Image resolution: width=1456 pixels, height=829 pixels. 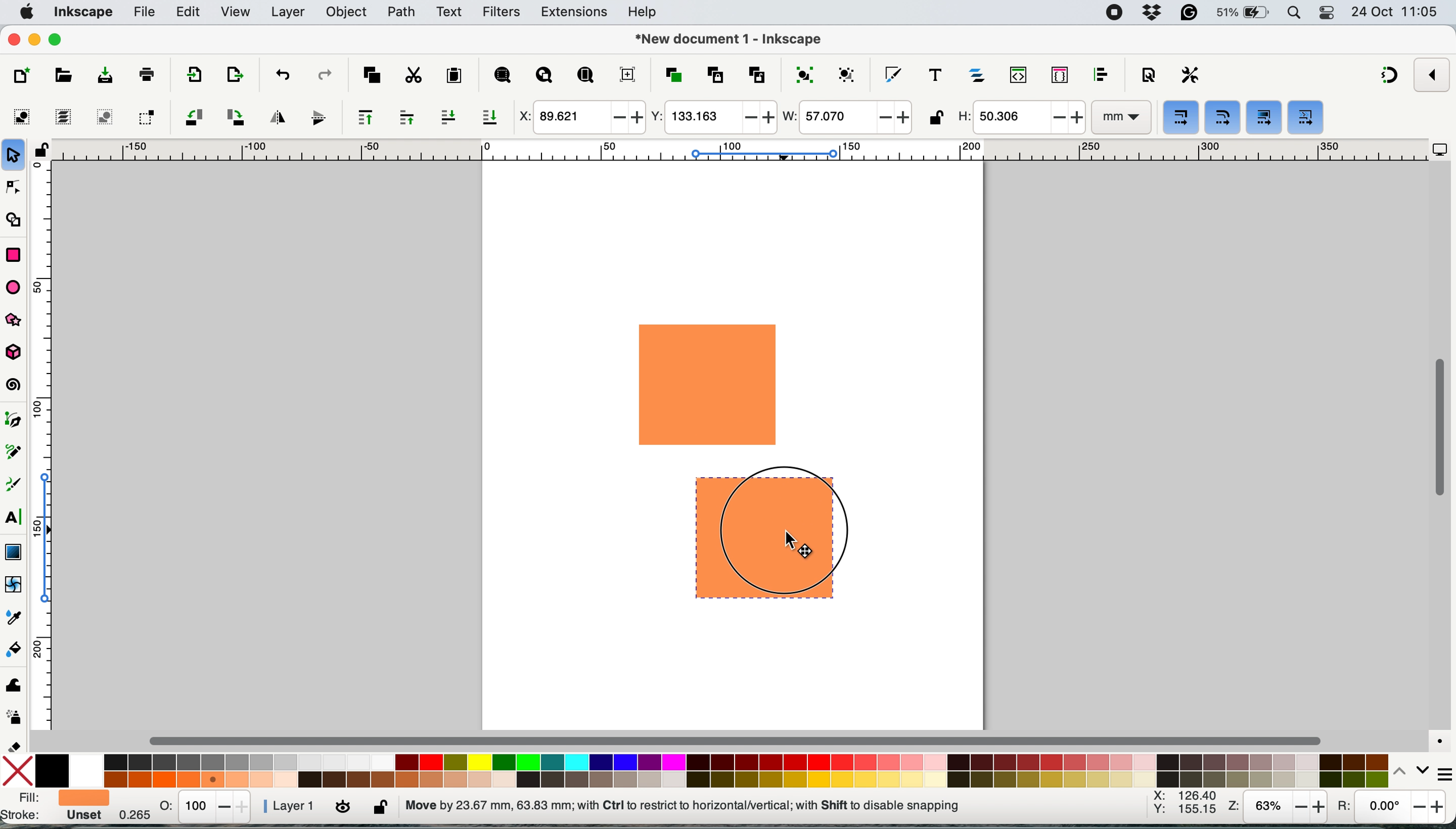 What do you see at coordinates (360, 117) in the screenshot?
I see `raise selection to top` at bounding box center [360, 117].